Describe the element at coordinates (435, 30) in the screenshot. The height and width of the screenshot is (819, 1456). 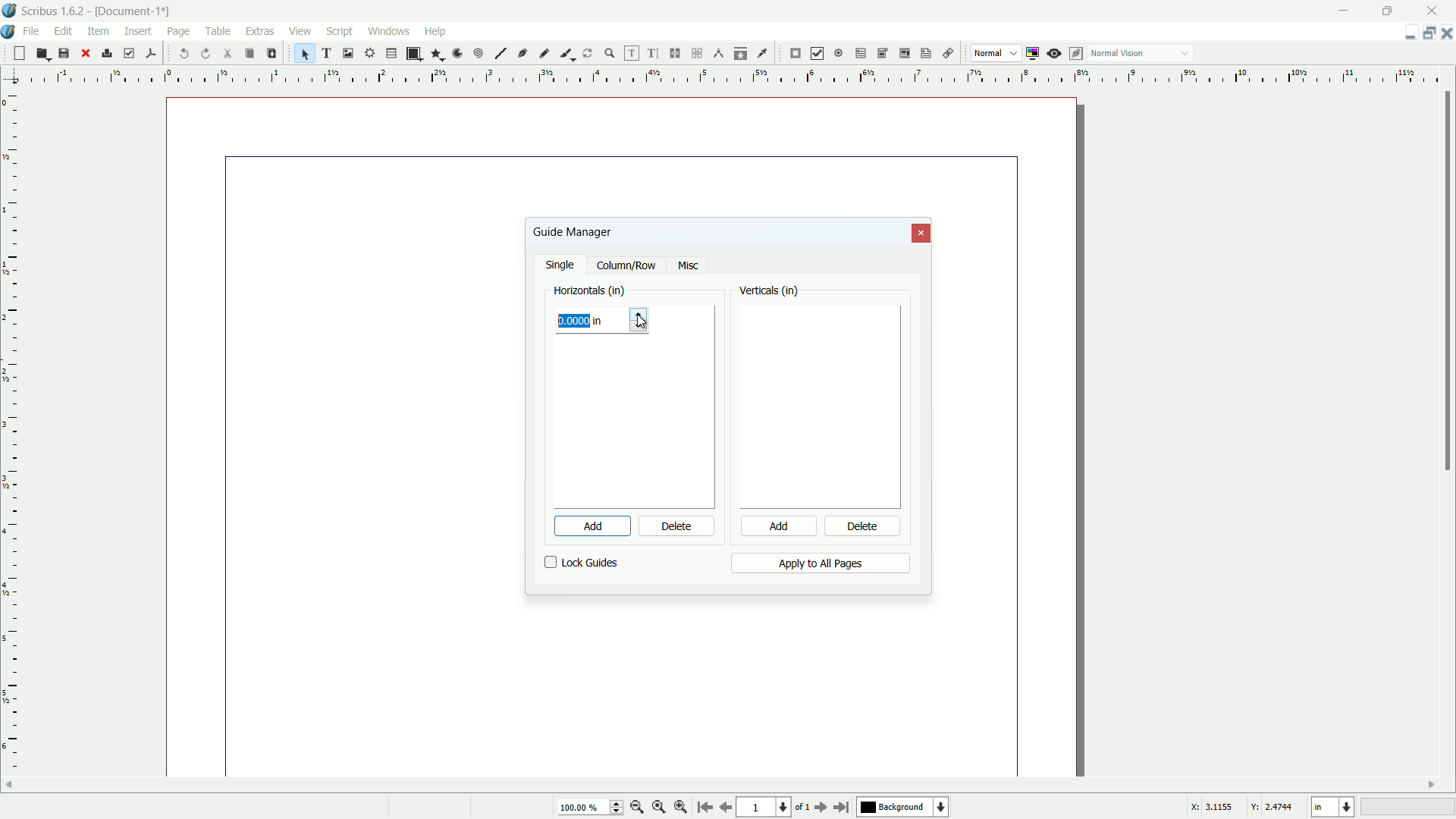
I see `help menu` at that location.